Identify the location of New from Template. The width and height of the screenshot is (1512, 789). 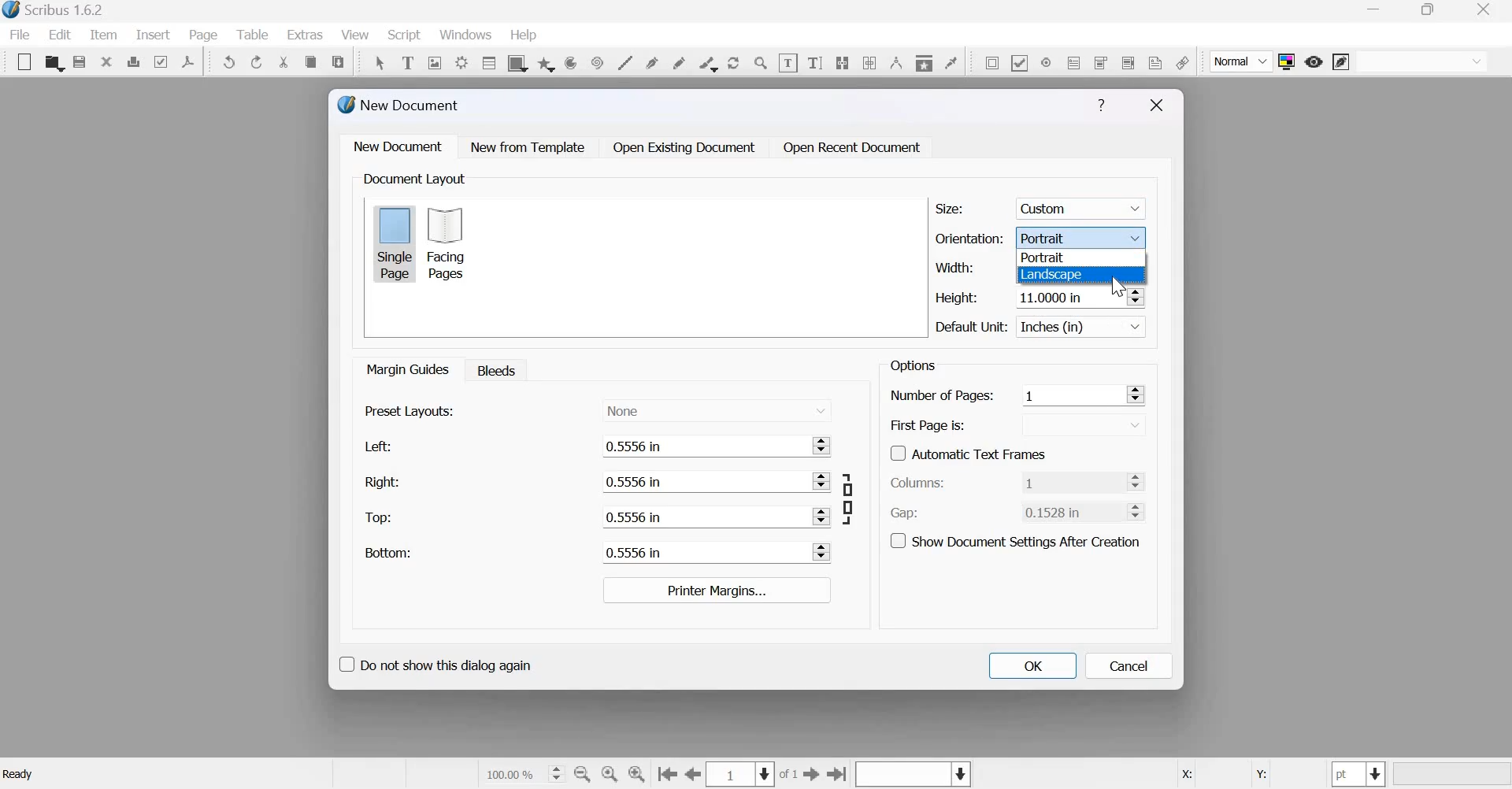
(531, 146).